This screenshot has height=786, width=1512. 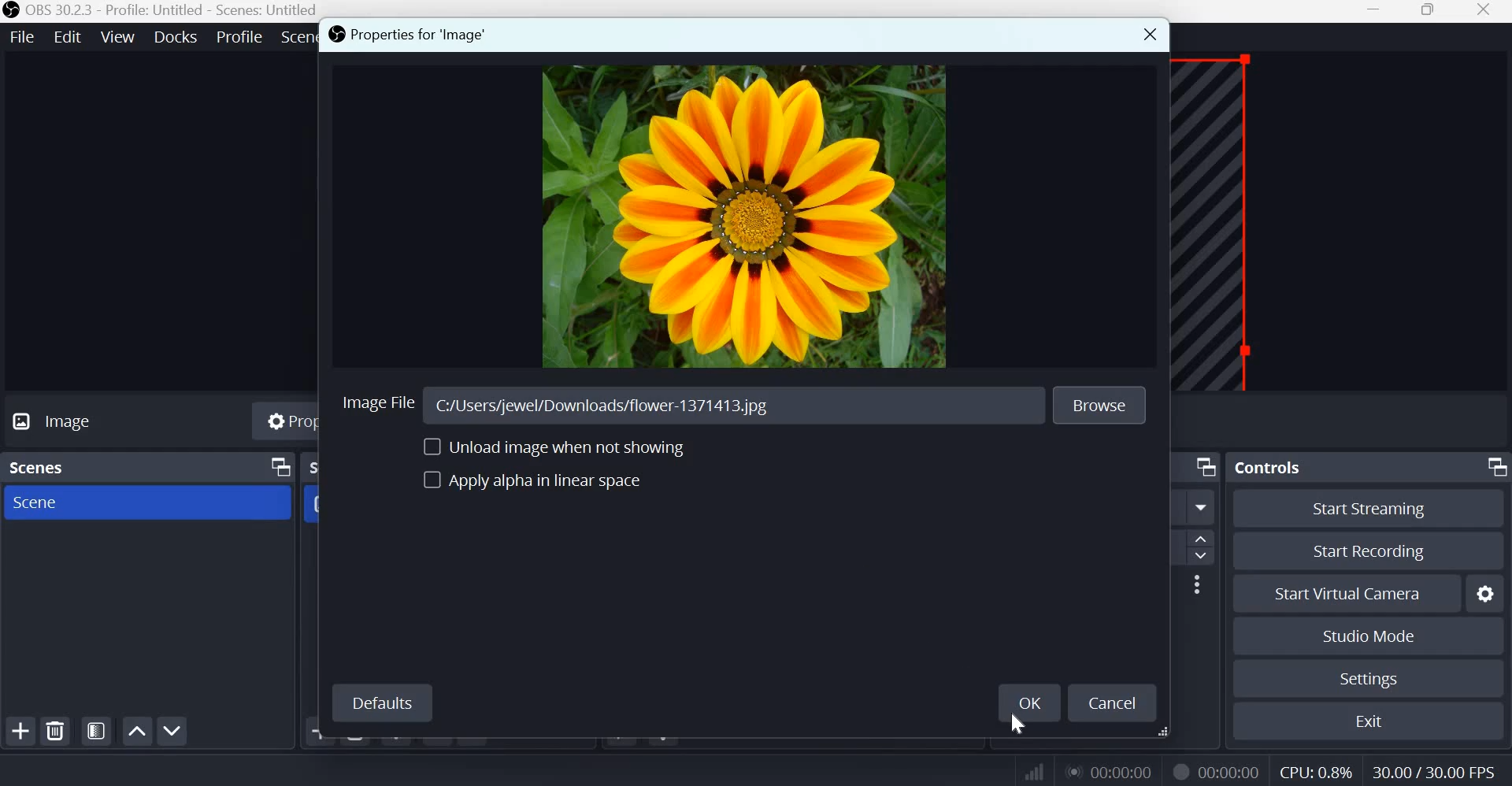 What do you see at coordinates (1439, 769) in the screenshot?
I see `30.00/30.00 FPS` at bounding box center [1439, 769].